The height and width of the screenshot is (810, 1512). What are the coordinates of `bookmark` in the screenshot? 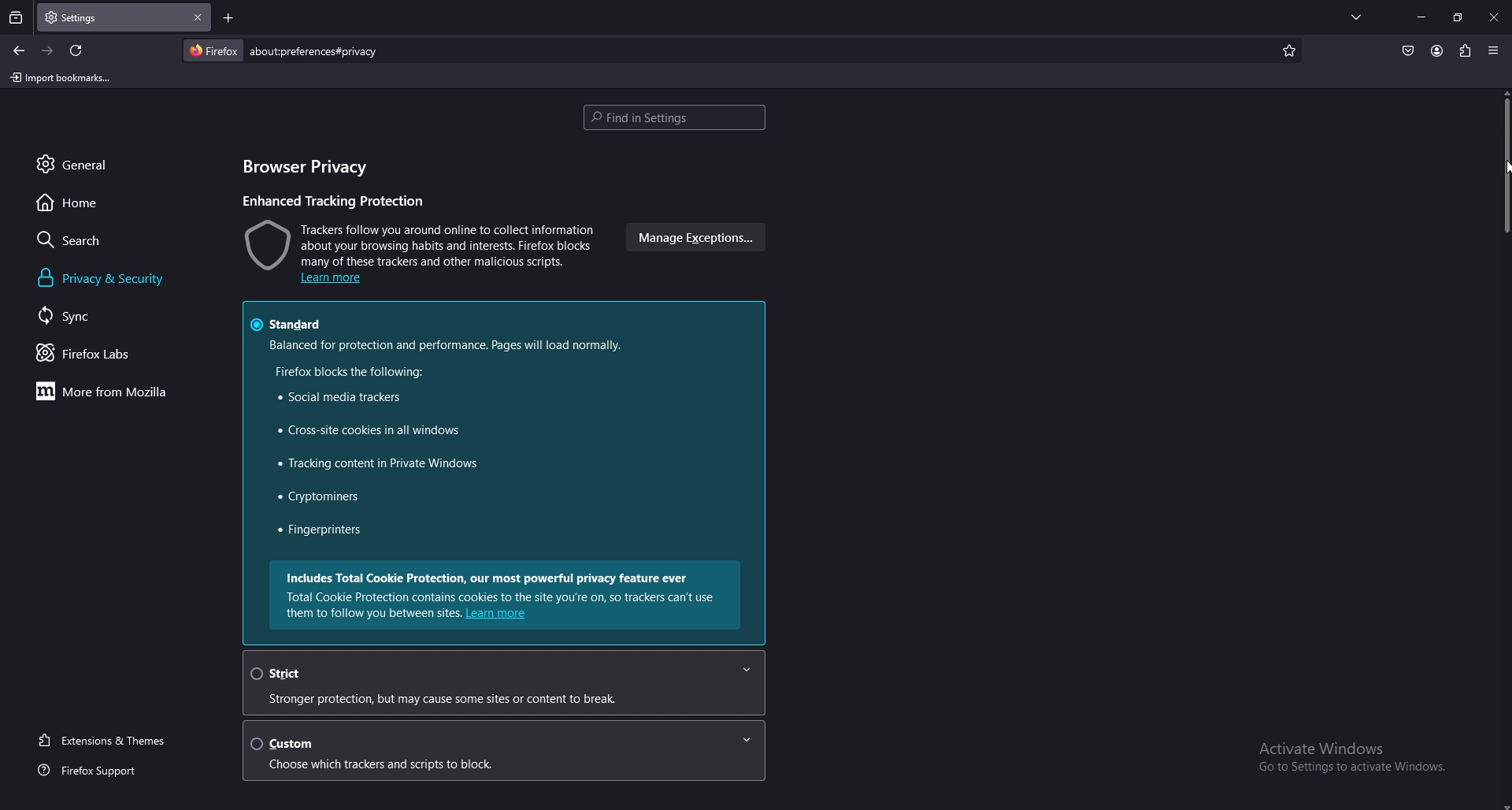 It's located at (1290, 51).